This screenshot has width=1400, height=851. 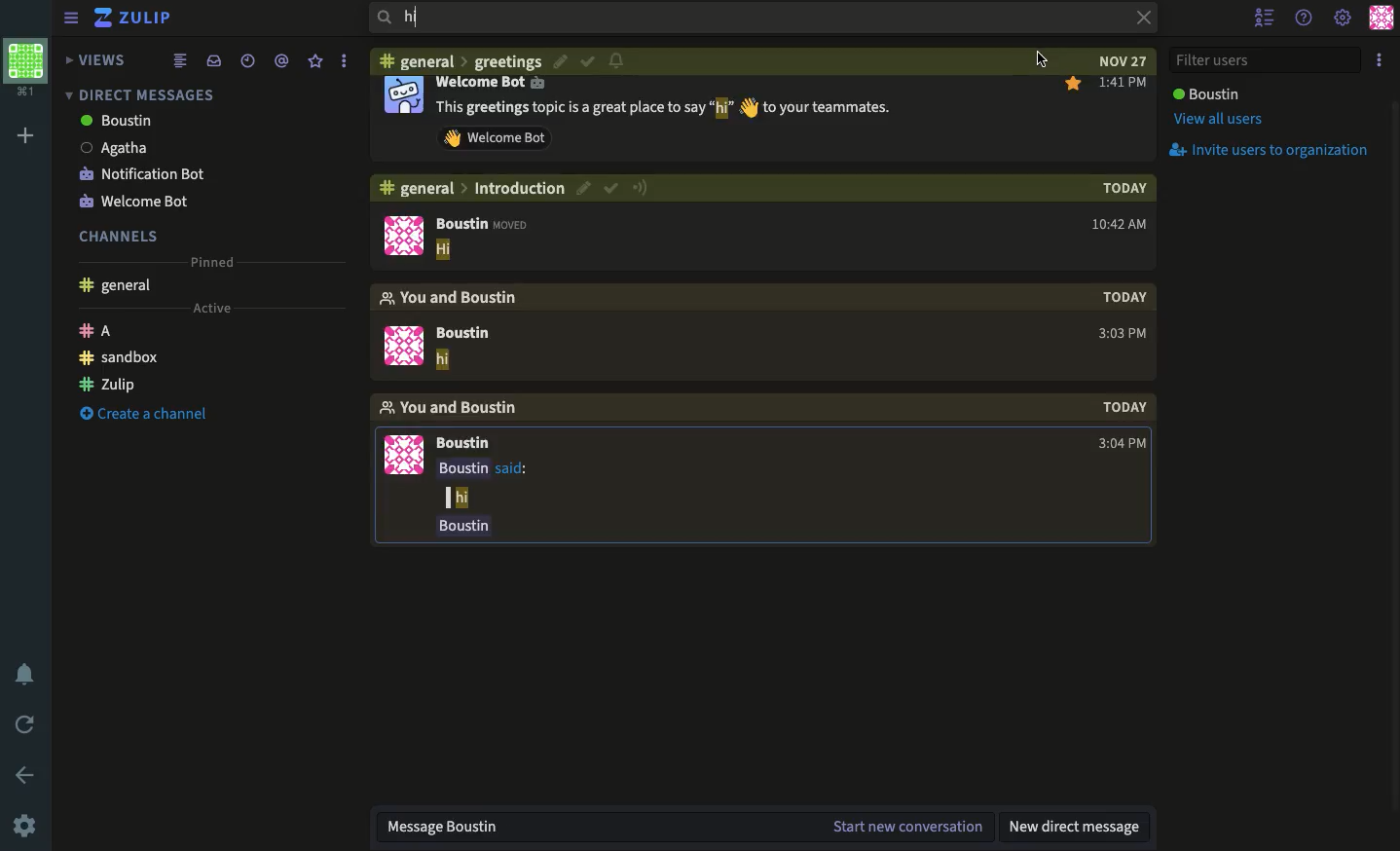 What do you see at coordinates (1205, 93) in the screenshot?
I see `User` at bounding box center [1205, 93].